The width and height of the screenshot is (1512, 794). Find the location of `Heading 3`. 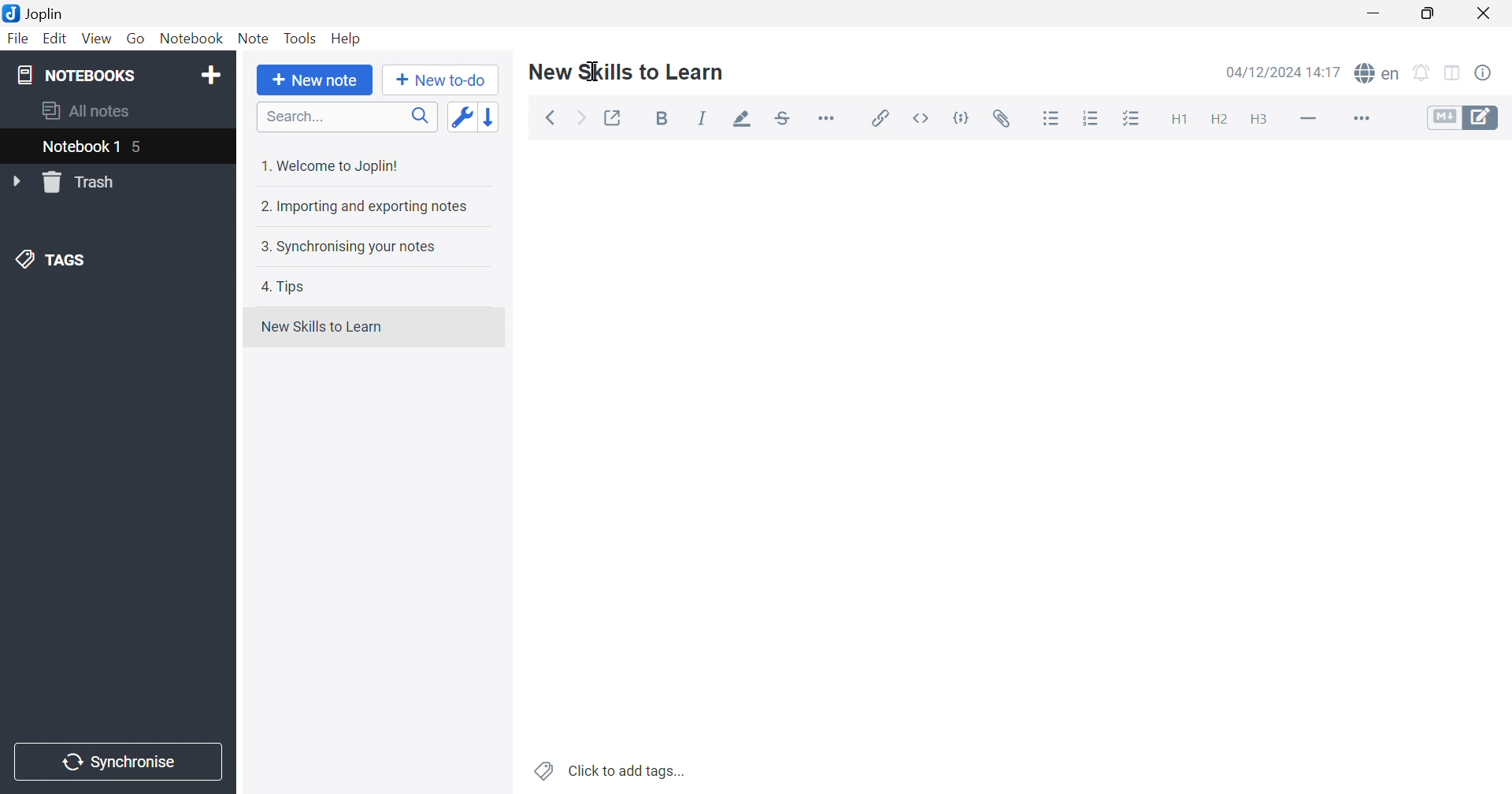

Heading 3 is located at coordinates (1258, 121).